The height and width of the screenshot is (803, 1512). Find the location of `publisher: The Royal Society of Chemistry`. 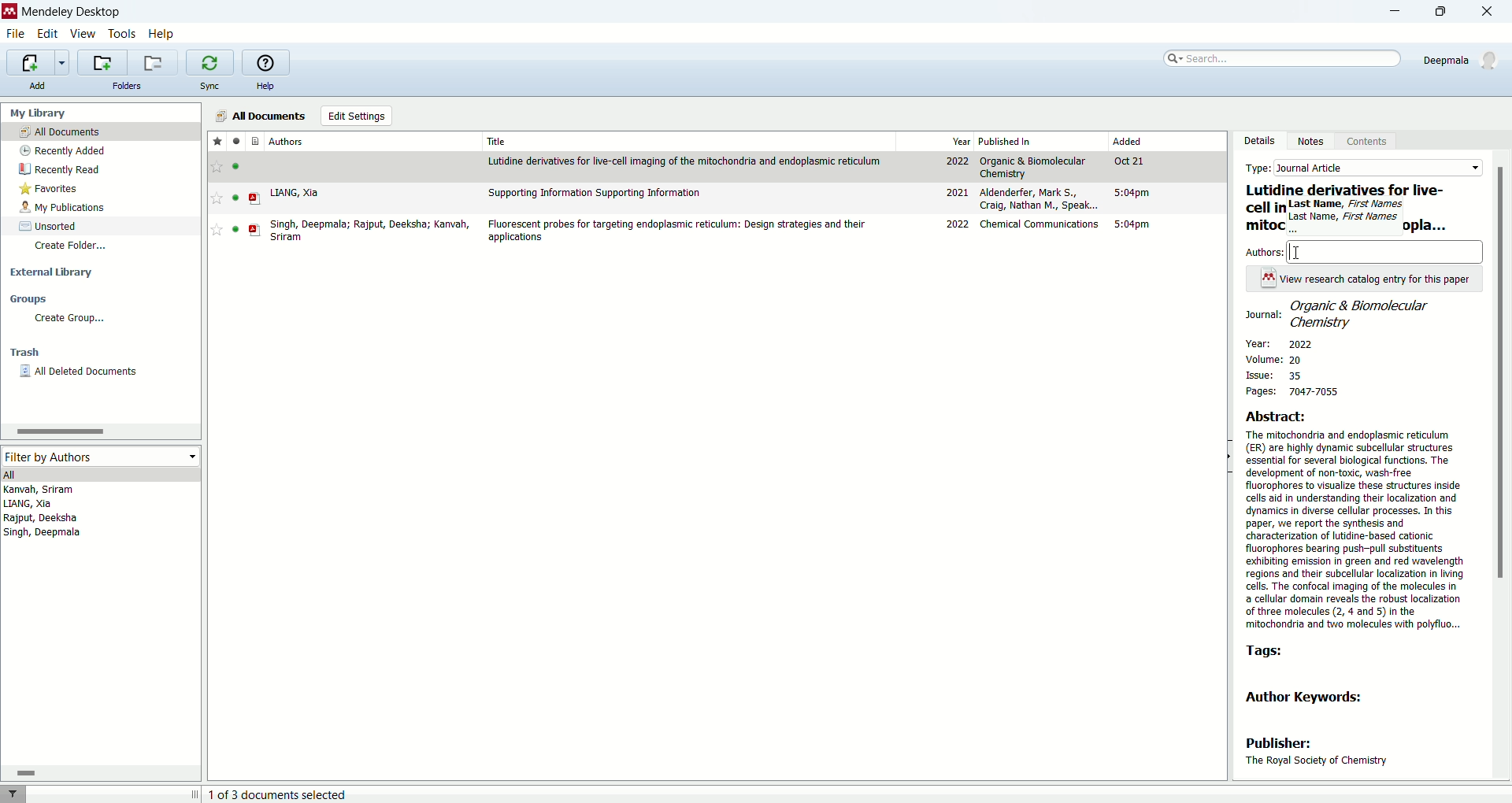

publisher: The Royal Society of Chemistry is located at coordinates (1317, 753).